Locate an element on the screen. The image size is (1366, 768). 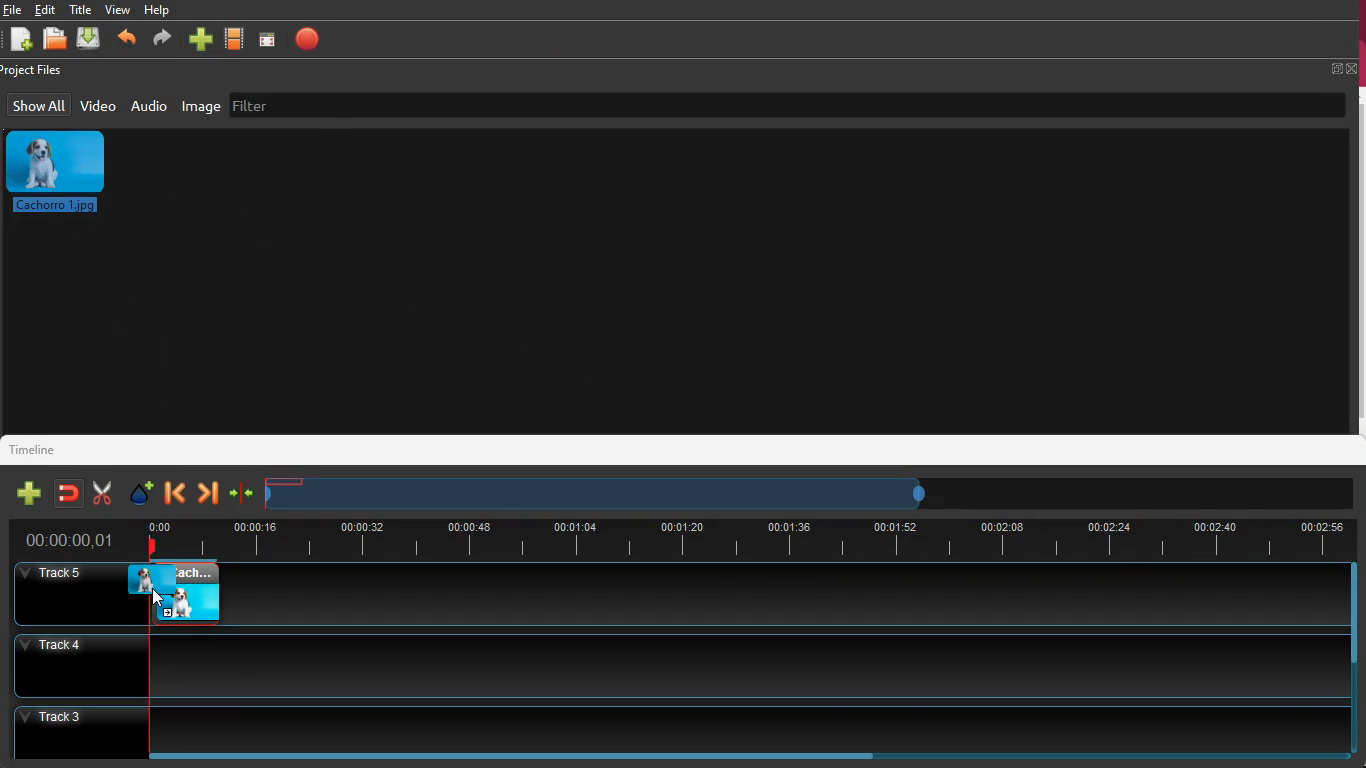
timeline is located at coordinates (36, 449).